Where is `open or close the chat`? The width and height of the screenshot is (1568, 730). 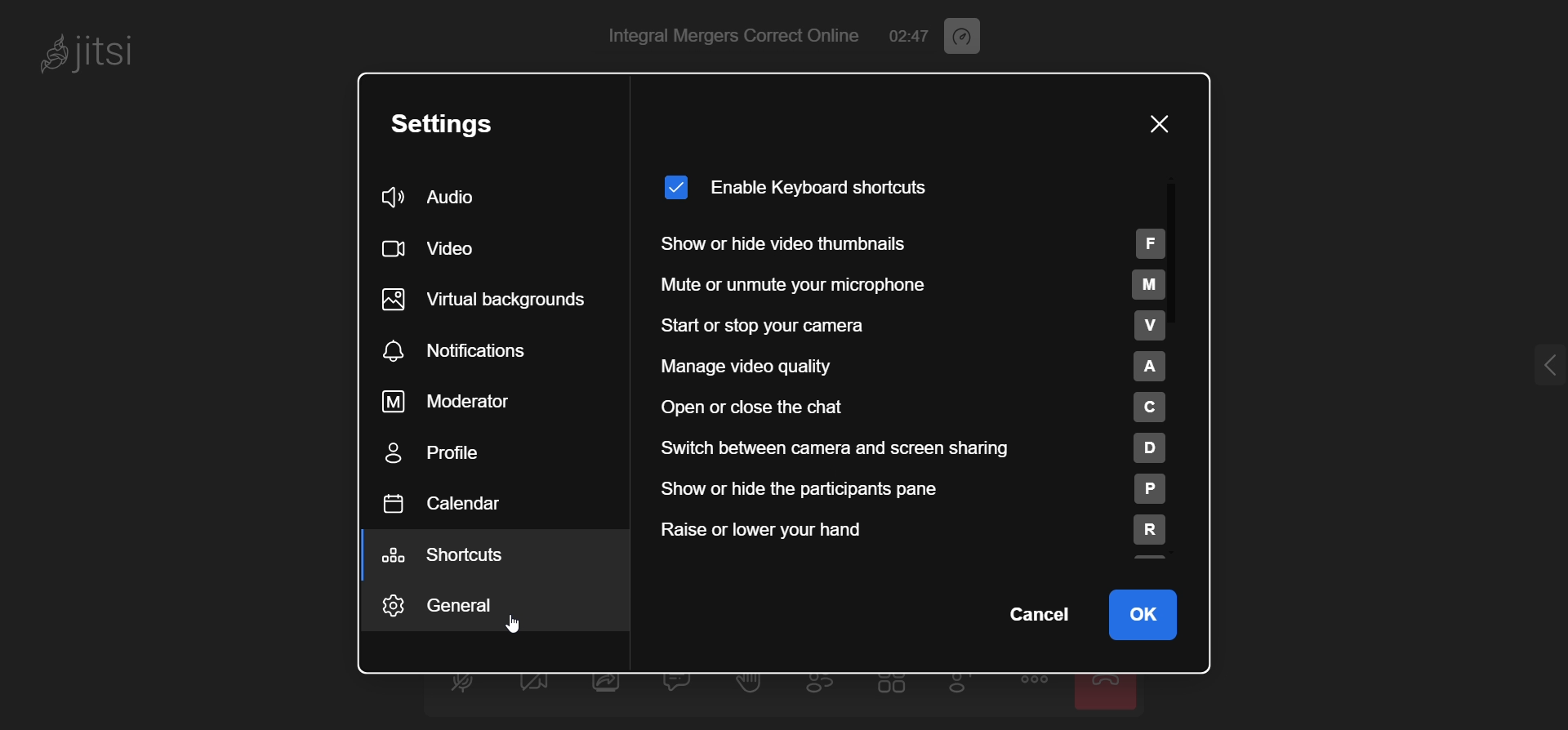
open or close the chat is located at coordinates (894, 407).